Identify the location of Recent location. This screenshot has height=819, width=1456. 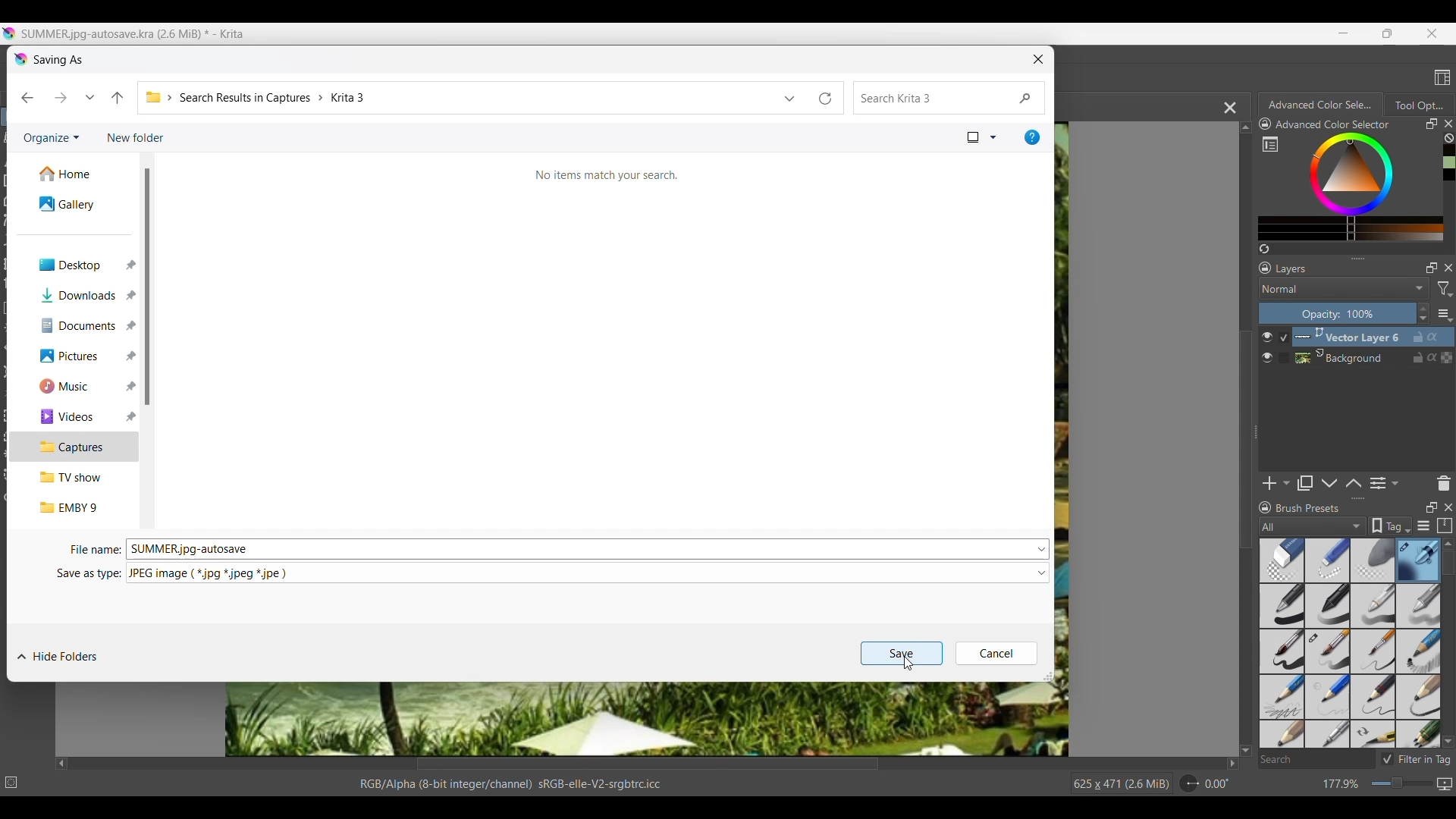
(90, 97).